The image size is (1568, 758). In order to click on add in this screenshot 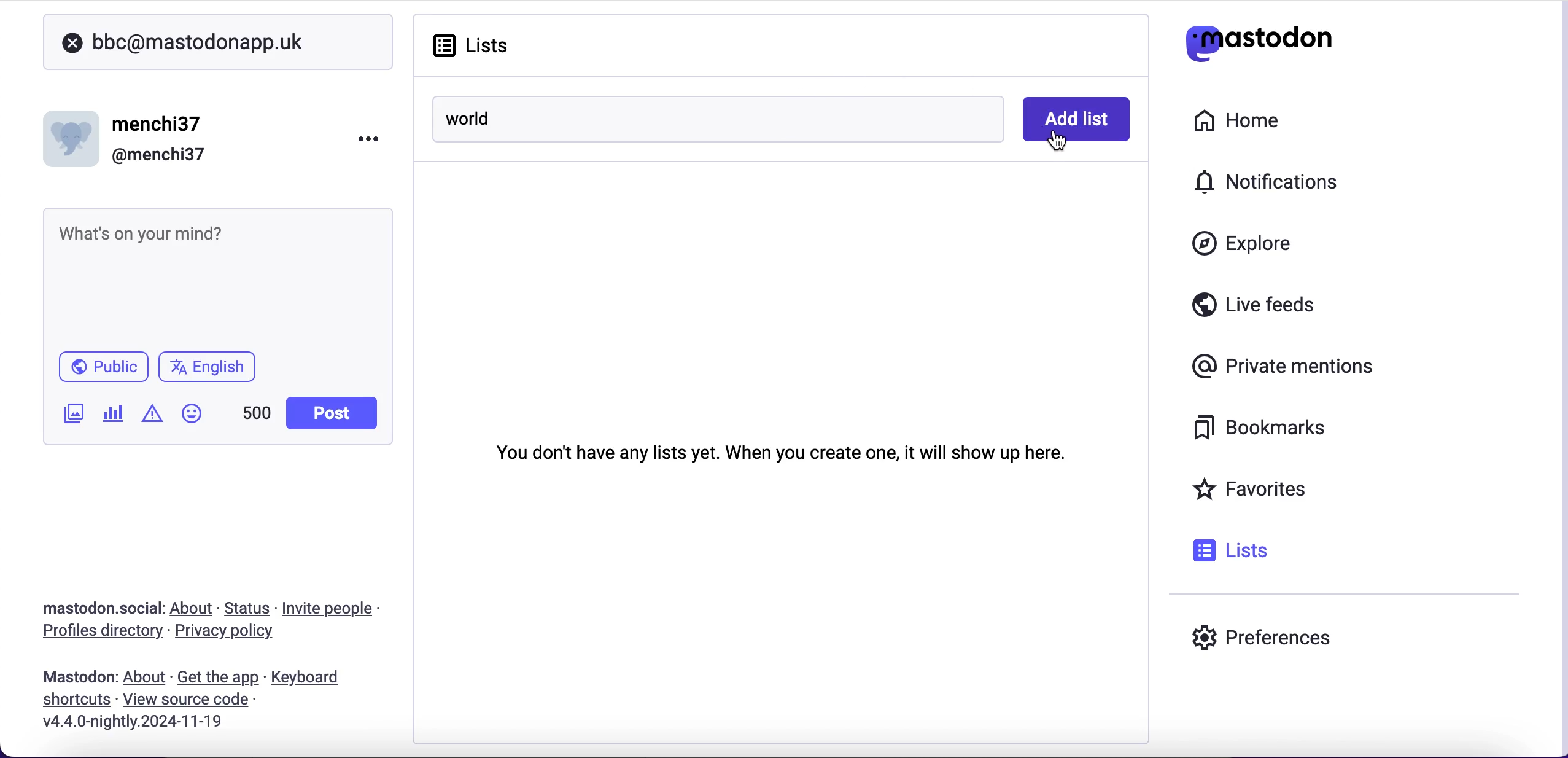, I will do `click(1075, 112)`.